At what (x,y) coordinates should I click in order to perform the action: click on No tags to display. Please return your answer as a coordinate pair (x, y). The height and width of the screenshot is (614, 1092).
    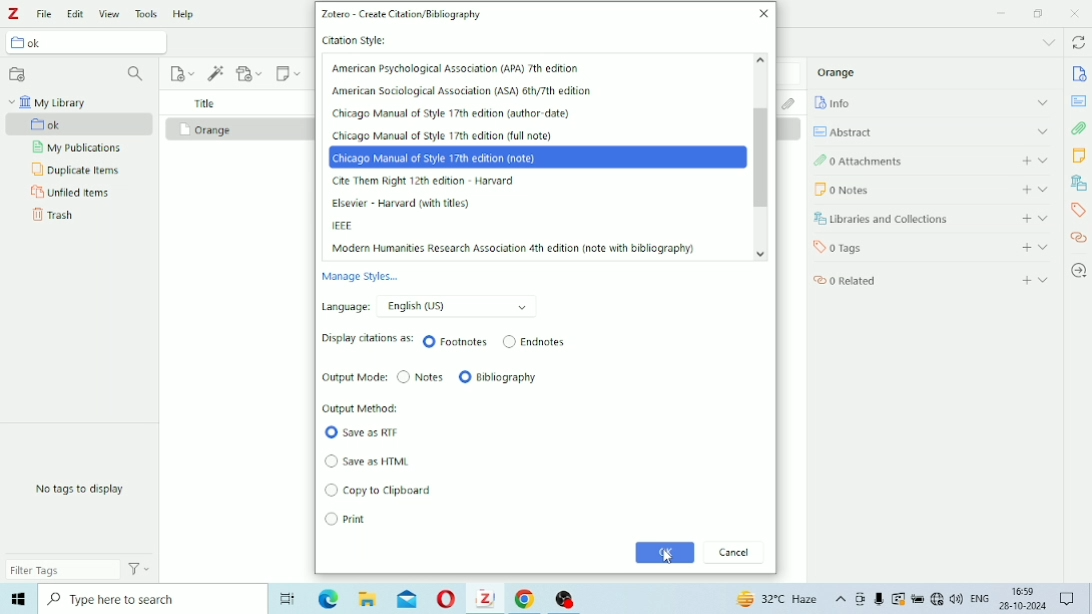
    Looking at the image, I should click on (80, 489).